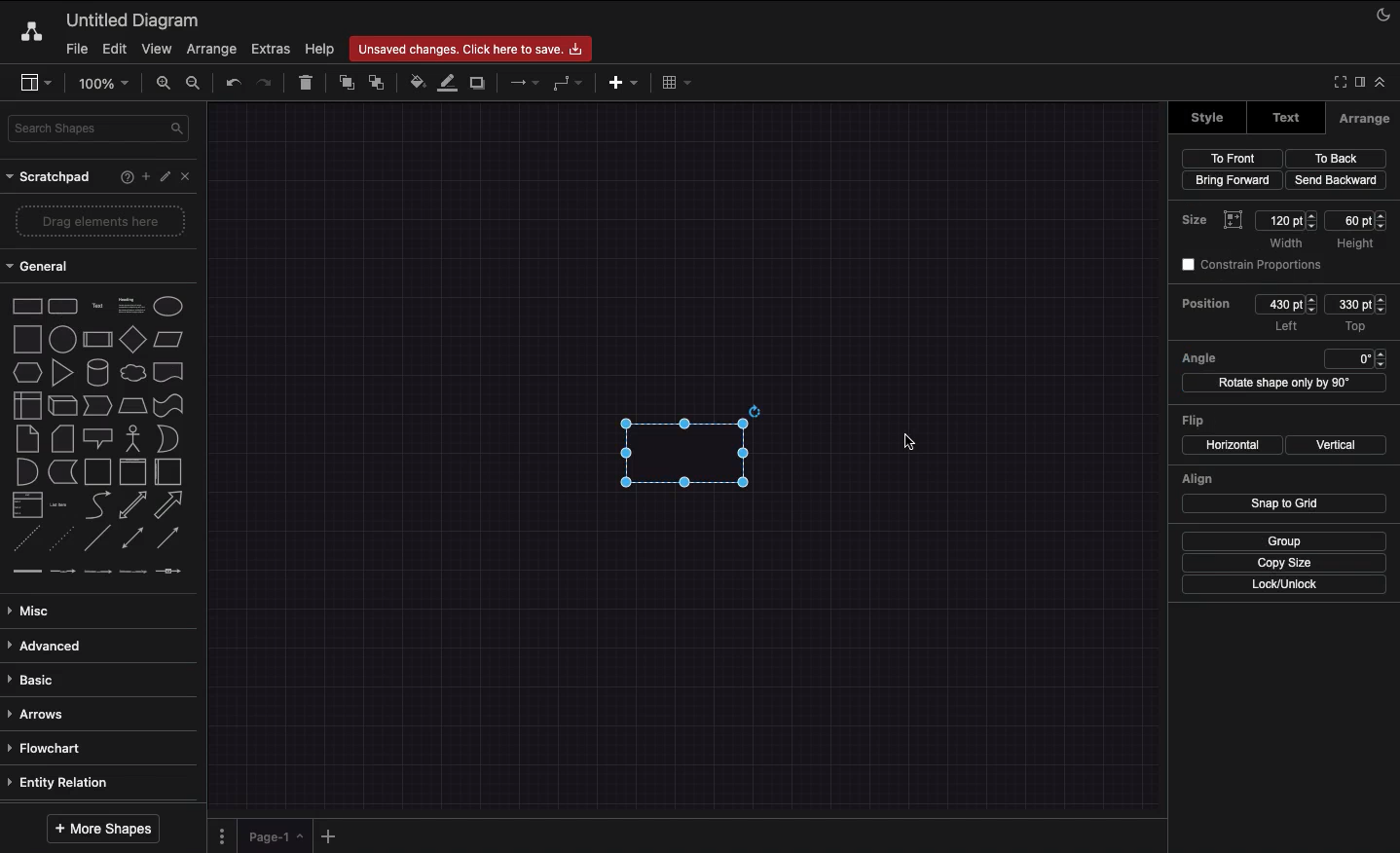 This screenshot has width=1400, height=853. I want to click on Redo, so click(266, 83).